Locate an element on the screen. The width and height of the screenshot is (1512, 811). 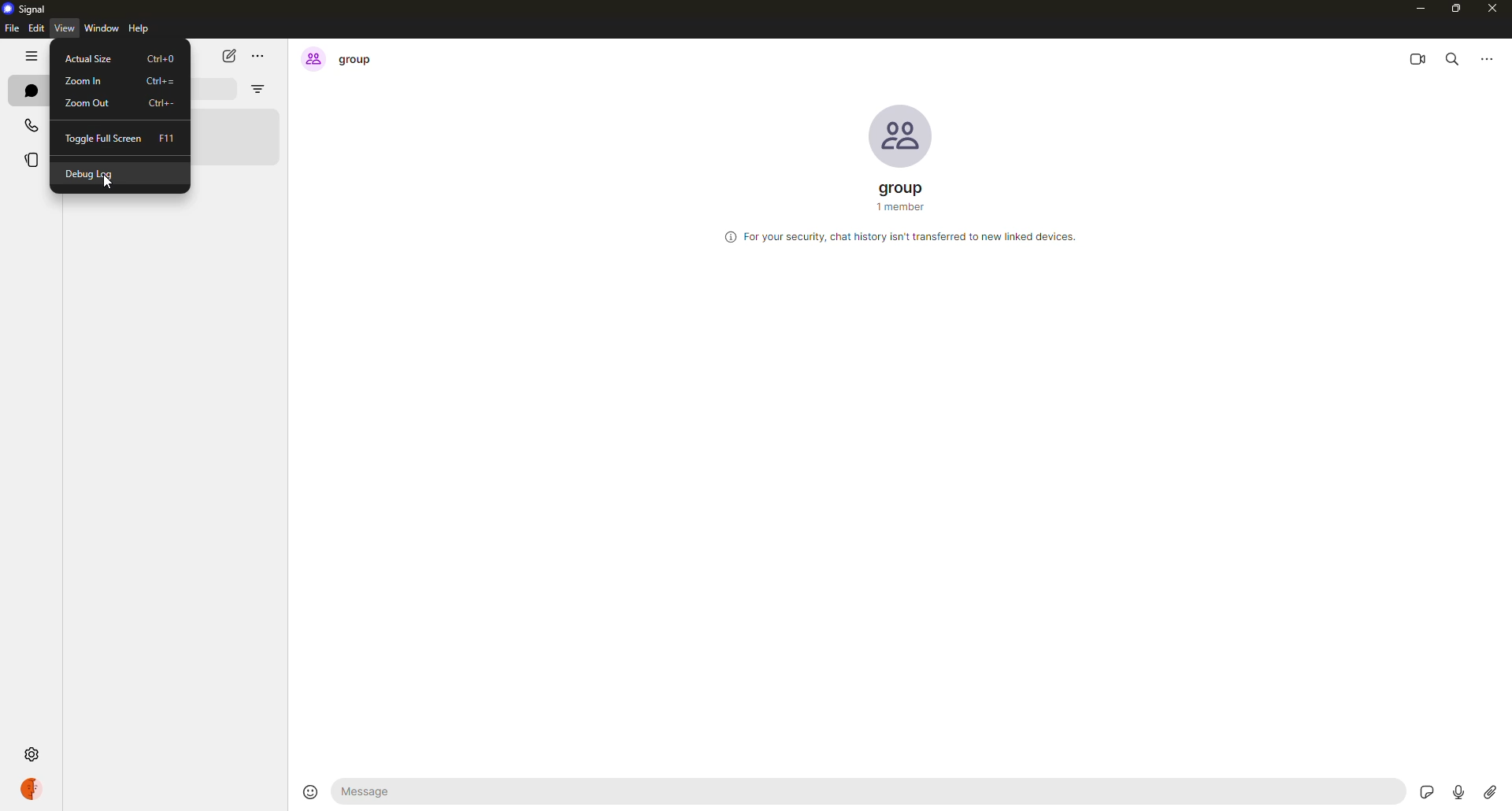
zoom in is located at coordinates (82, 80).